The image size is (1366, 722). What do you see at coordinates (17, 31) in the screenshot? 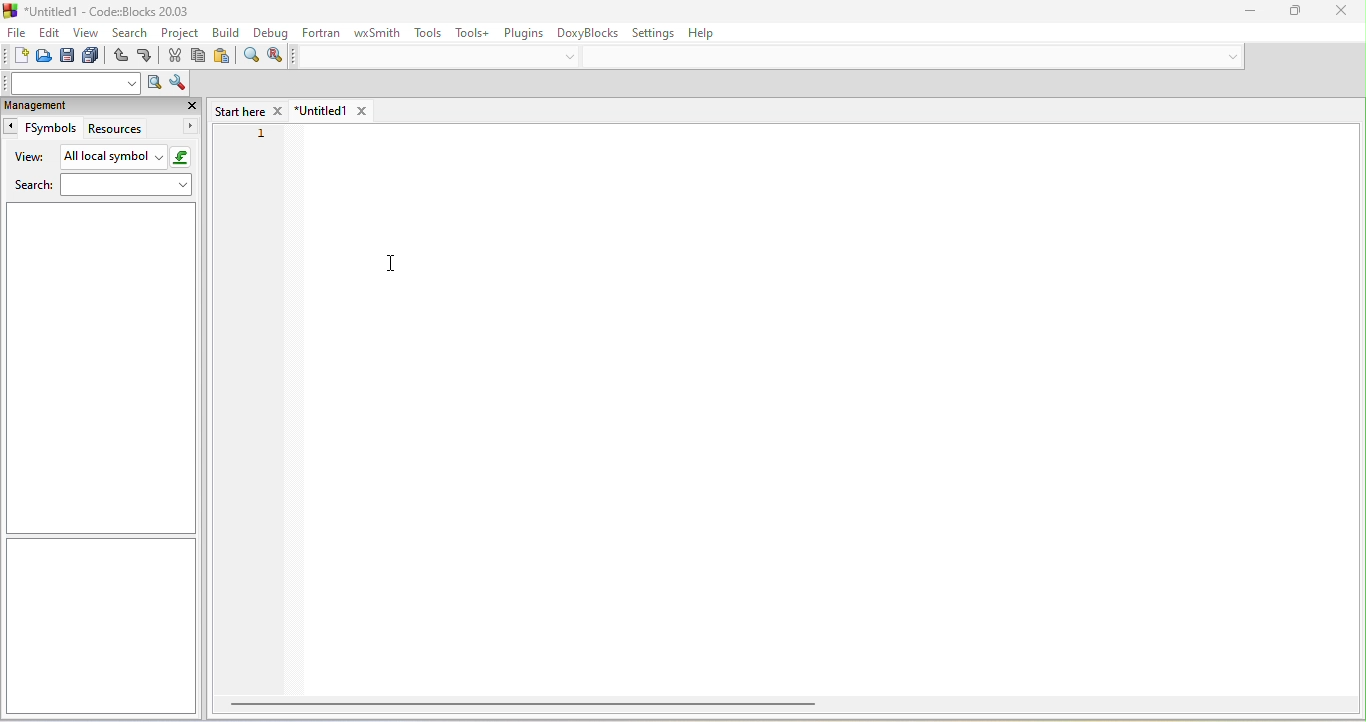
I see `file` at bounding box center [17, 31].